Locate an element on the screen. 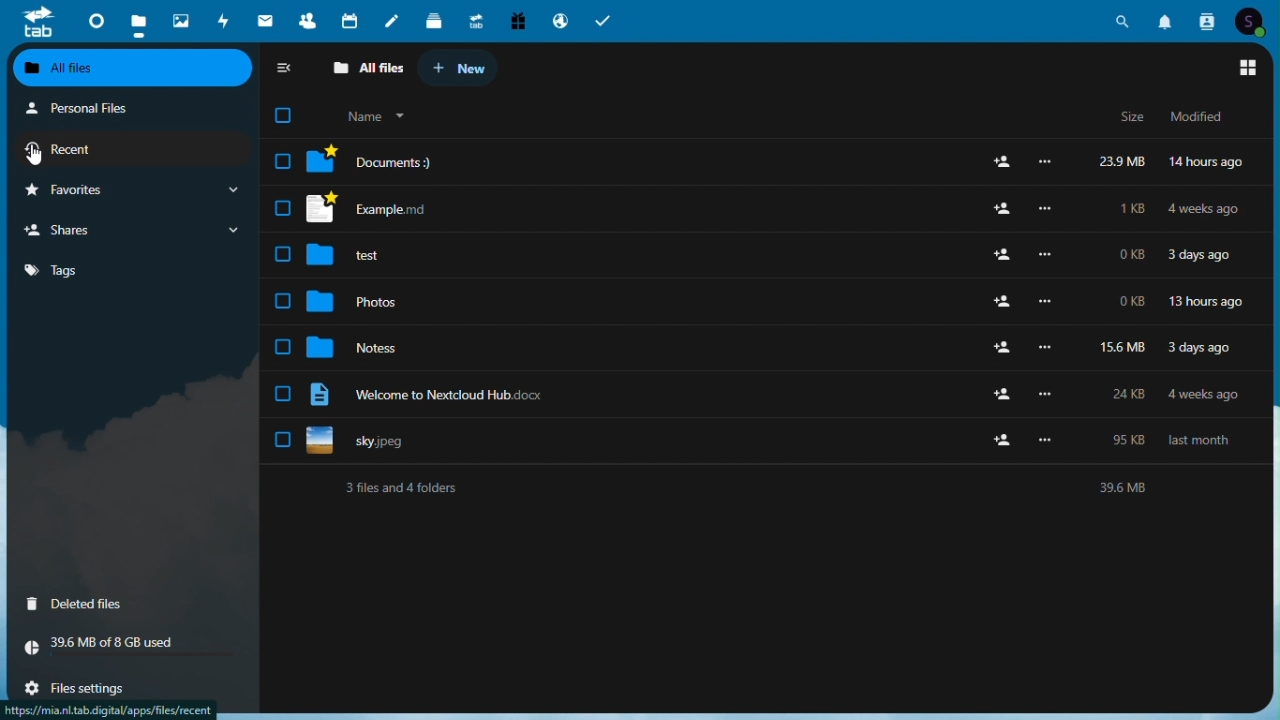  email hosting is located at coordinates (560, 21).